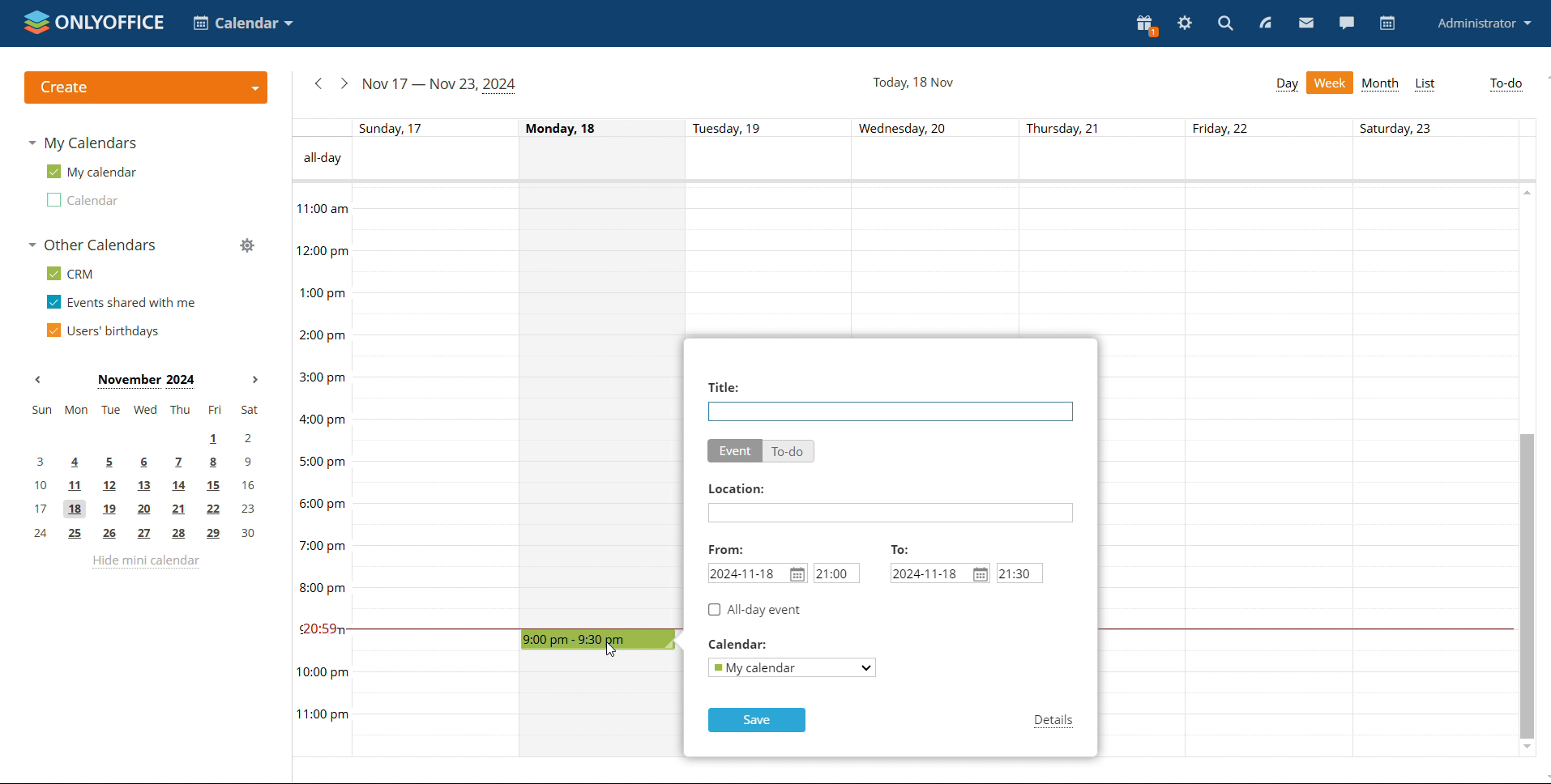 This screenshot has width=1551, height=784. I want to click on previous month, so click(39, 379).